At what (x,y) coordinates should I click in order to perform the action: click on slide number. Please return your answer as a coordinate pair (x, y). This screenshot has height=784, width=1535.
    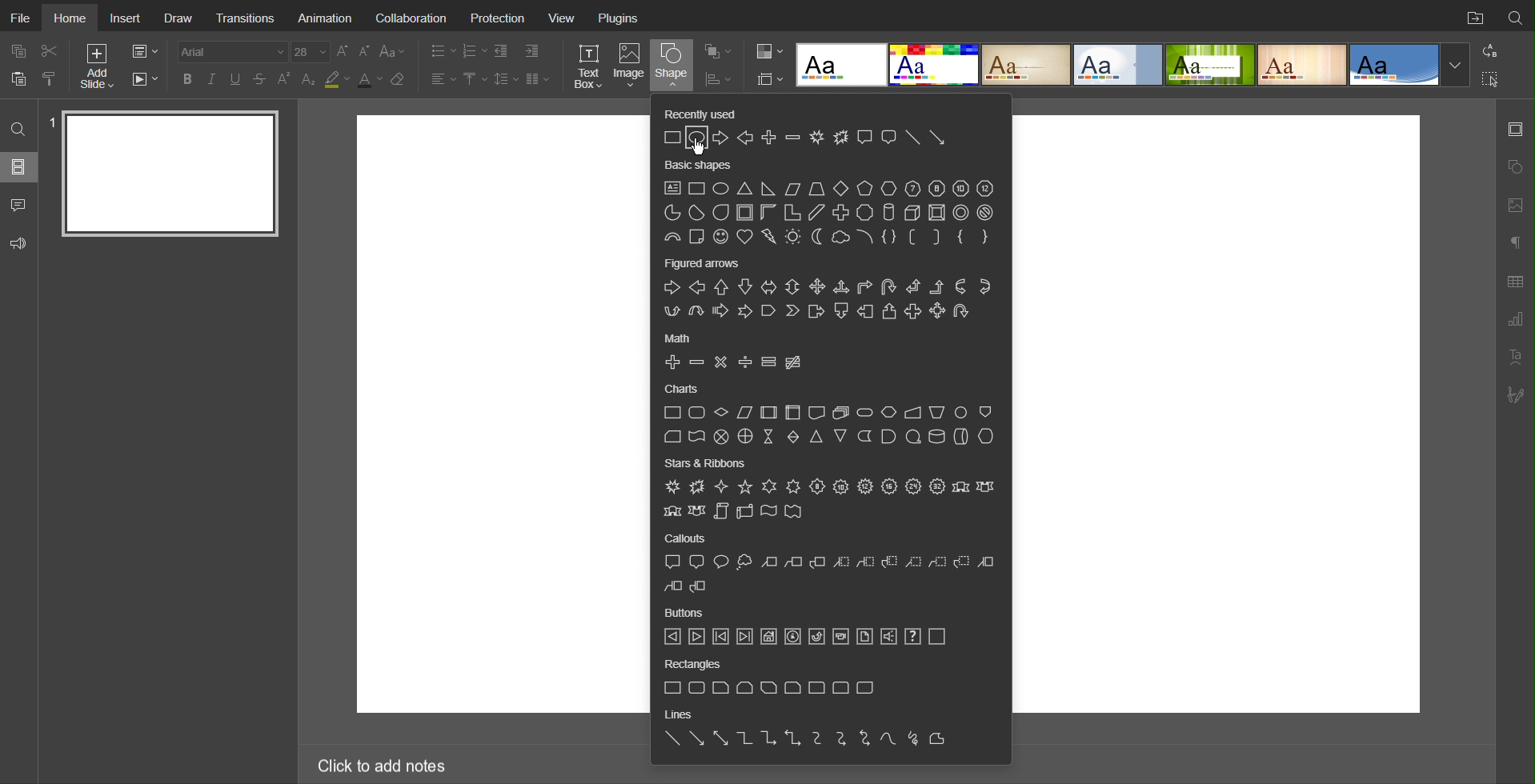
    Looking at the image, I should click on (50, 122).